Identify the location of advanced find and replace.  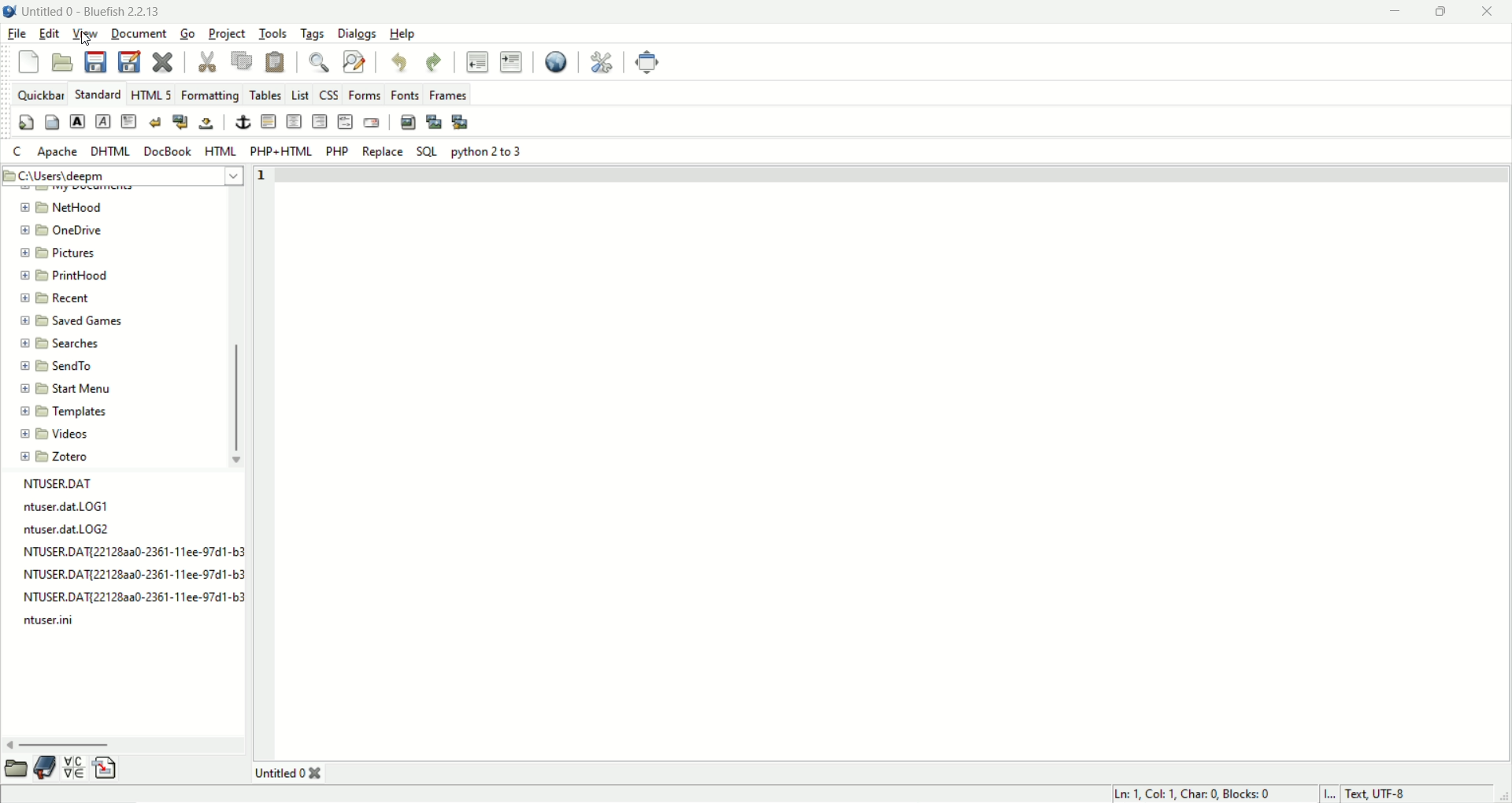
(356, 62).